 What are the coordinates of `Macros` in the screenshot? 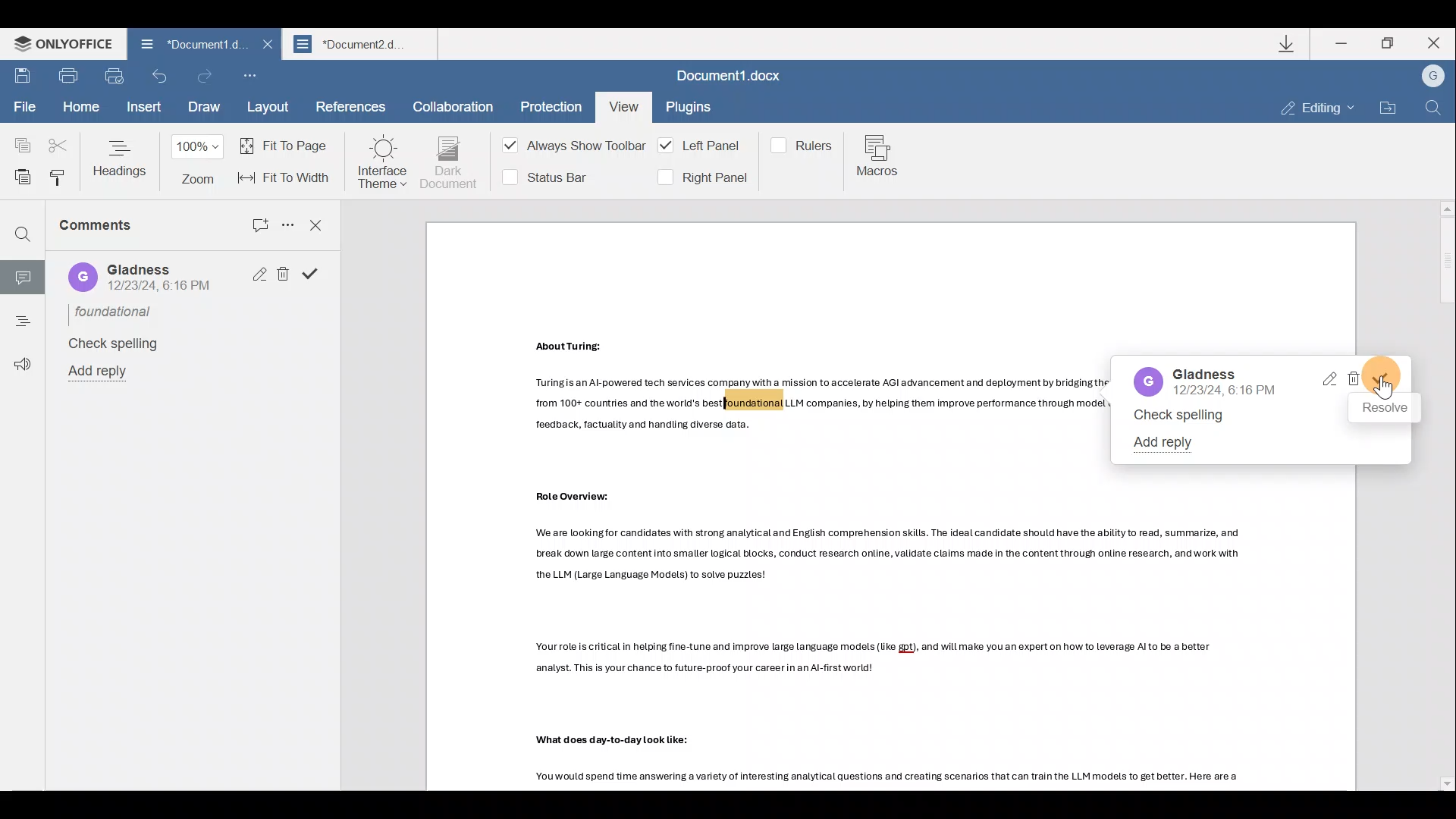 It's located at (881, 158).